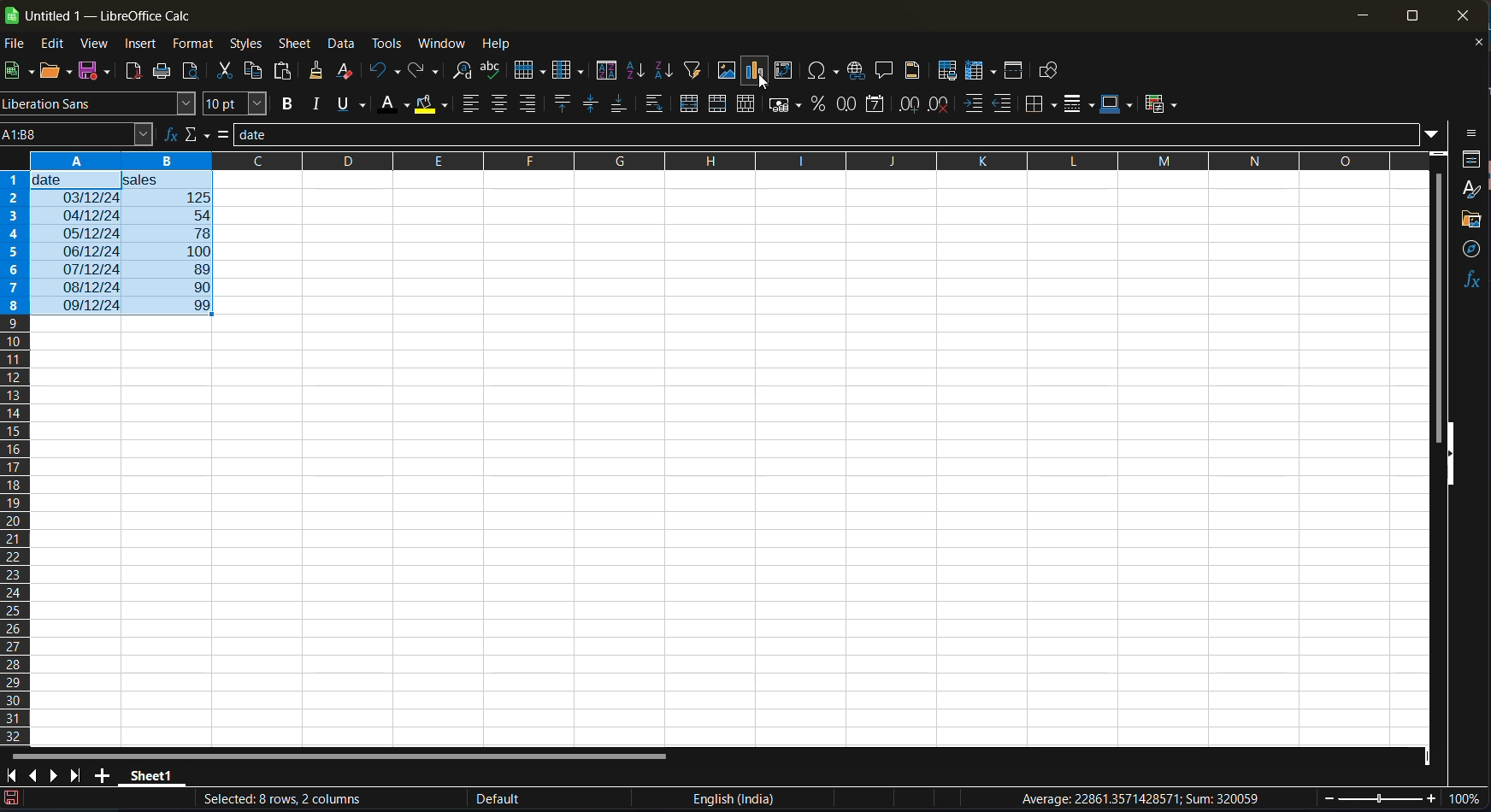 The height and width of the screenshot is (812, 1491). I want to click on close document, so click(1476, 44).